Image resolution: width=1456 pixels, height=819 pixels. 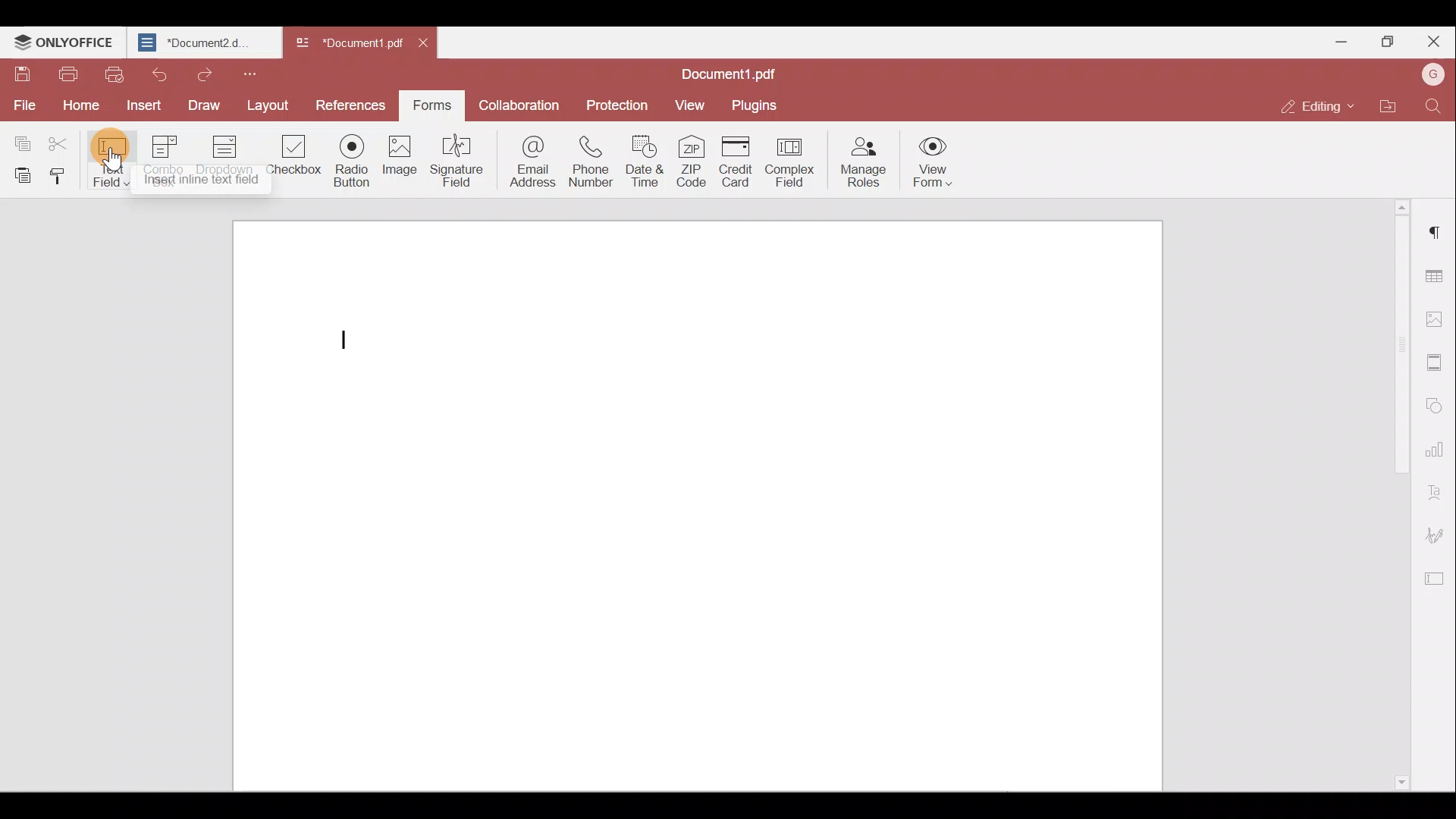 What do you see at coordinates (231, 157) in the screenshot?
I see `Drop down` at bounding box center [231, 157].